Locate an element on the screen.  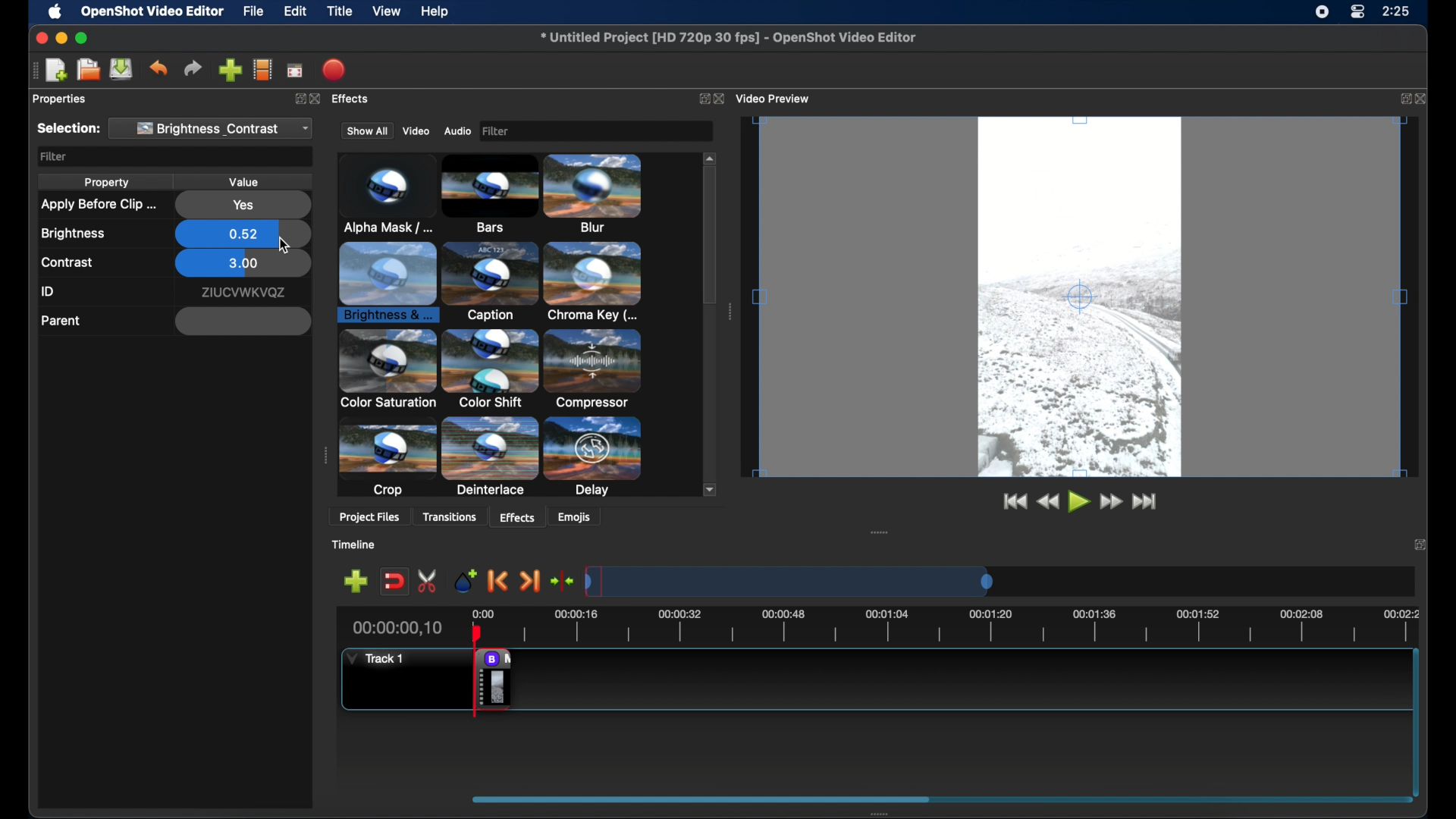
next marker is located at coordinates (532, 581).